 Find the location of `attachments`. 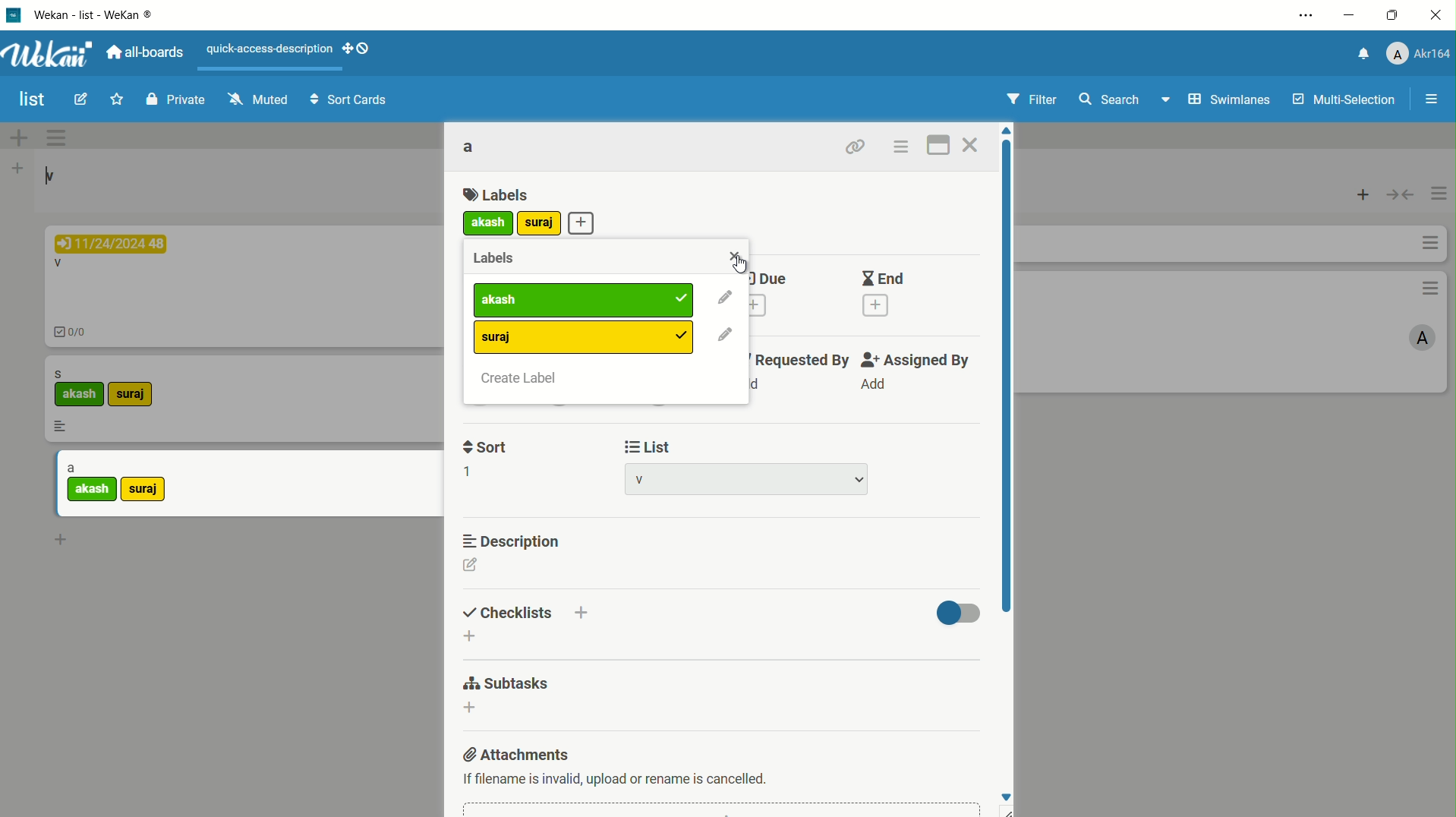

attachments is located at coordinates (519, 752).